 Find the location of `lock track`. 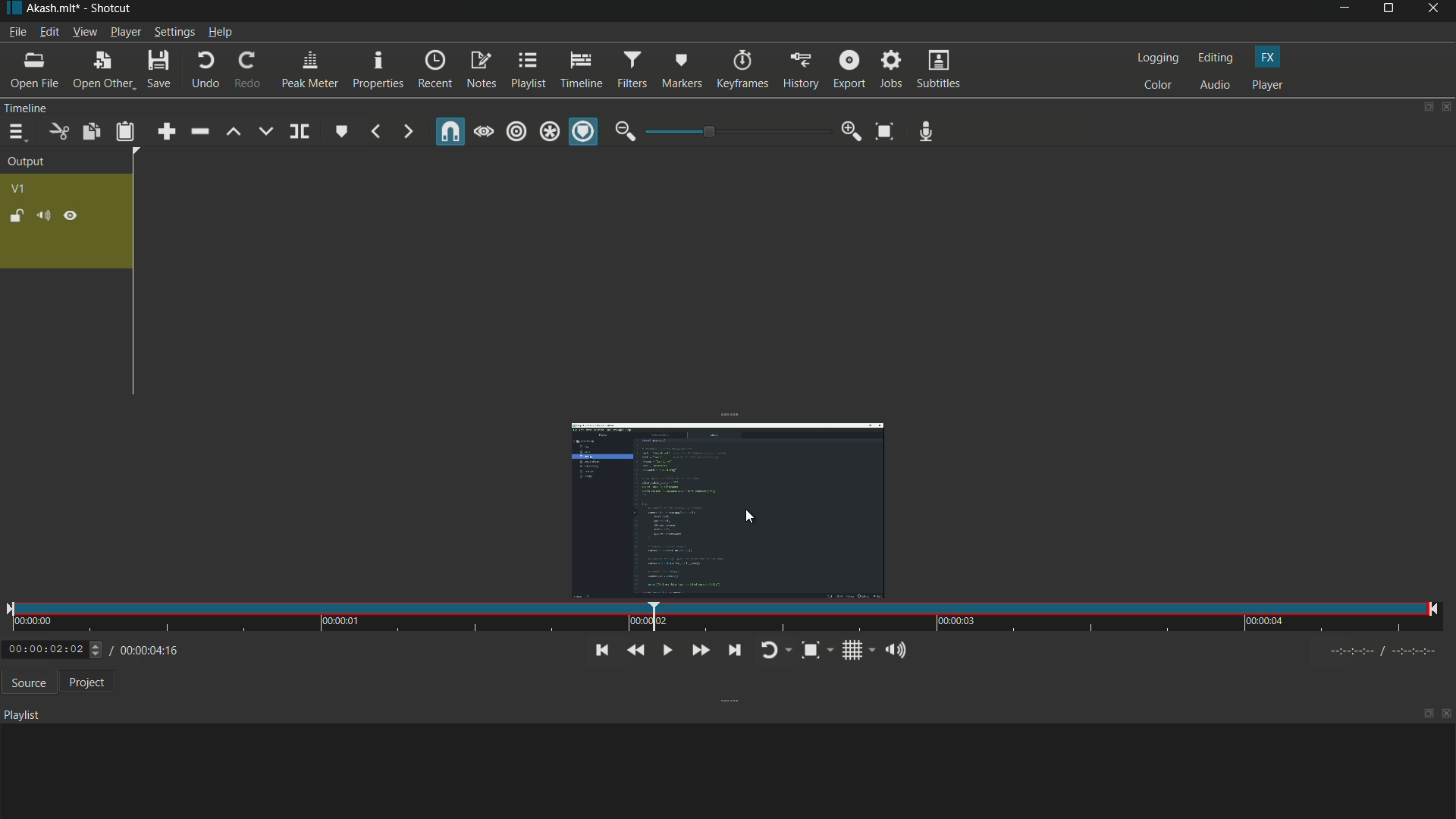

lock track is located at coordinates (14, 215).